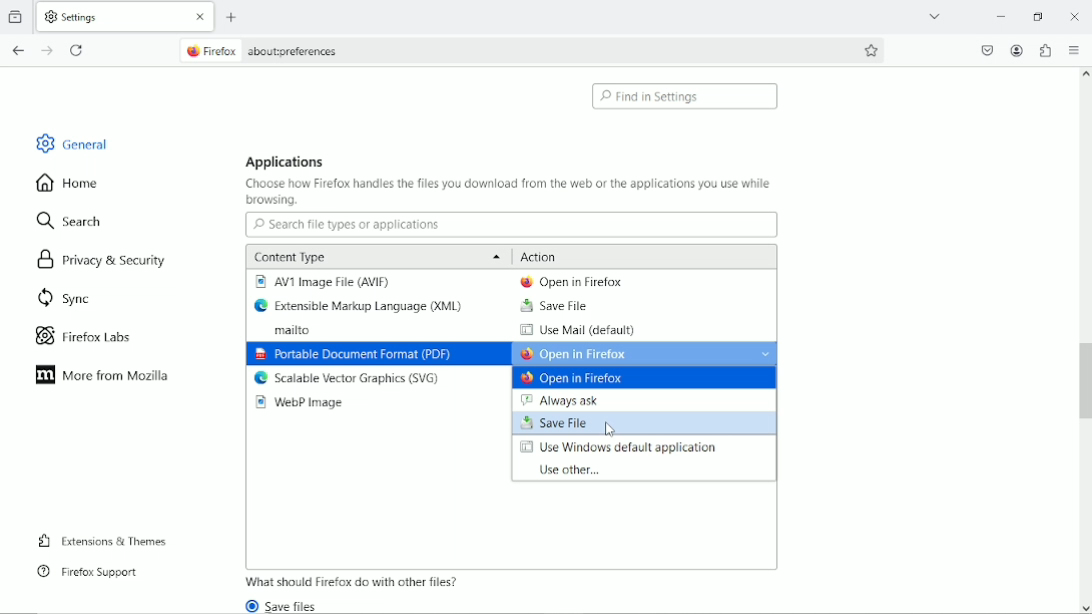  I want to click on Use other, so click(564, 470).